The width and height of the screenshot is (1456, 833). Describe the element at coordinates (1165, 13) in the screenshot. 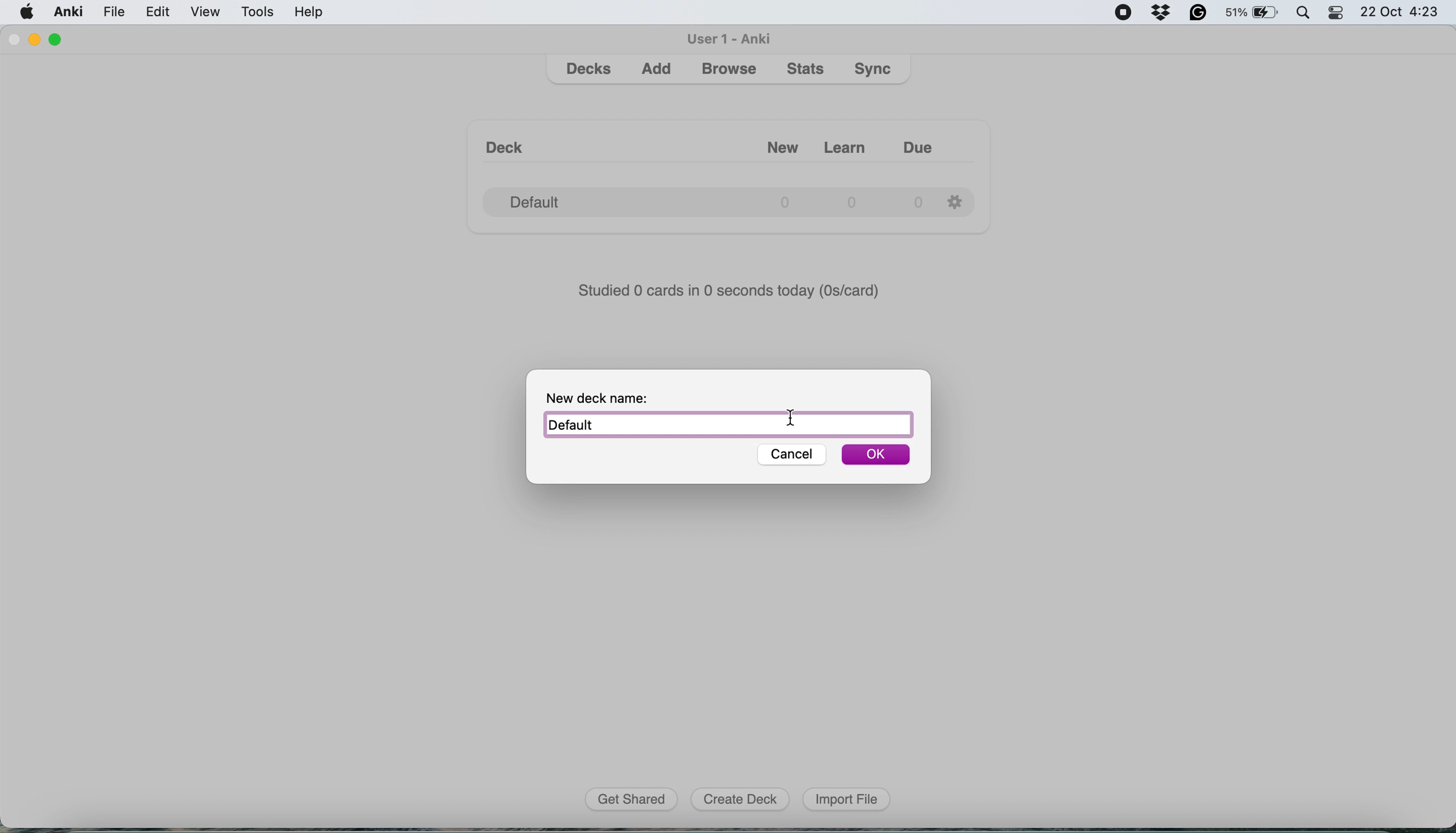

I see `drop box` at that location.